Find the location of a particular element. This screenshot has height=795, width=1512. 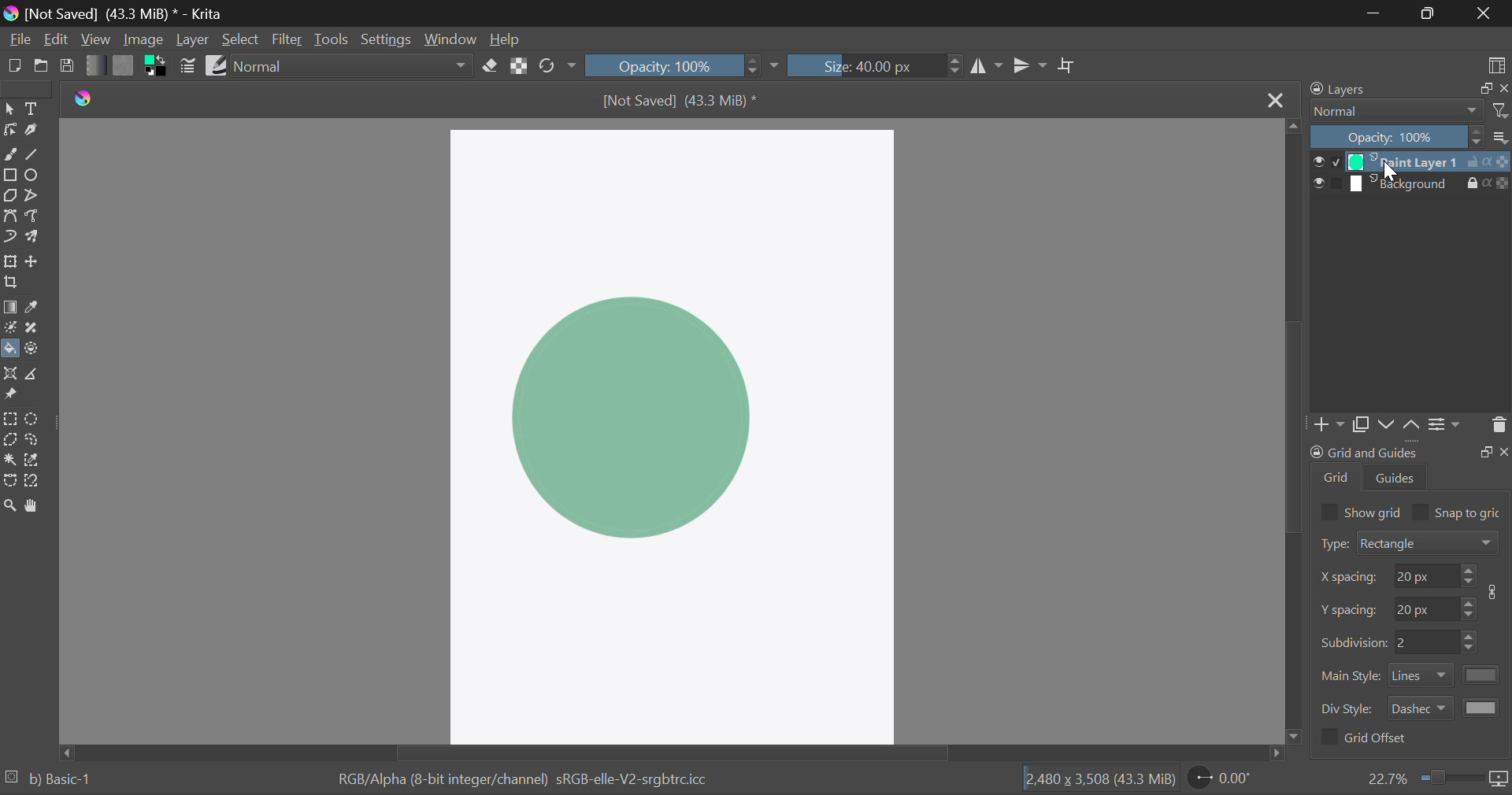

Grid Characteristic Input is located at coordinates (1413, 643).